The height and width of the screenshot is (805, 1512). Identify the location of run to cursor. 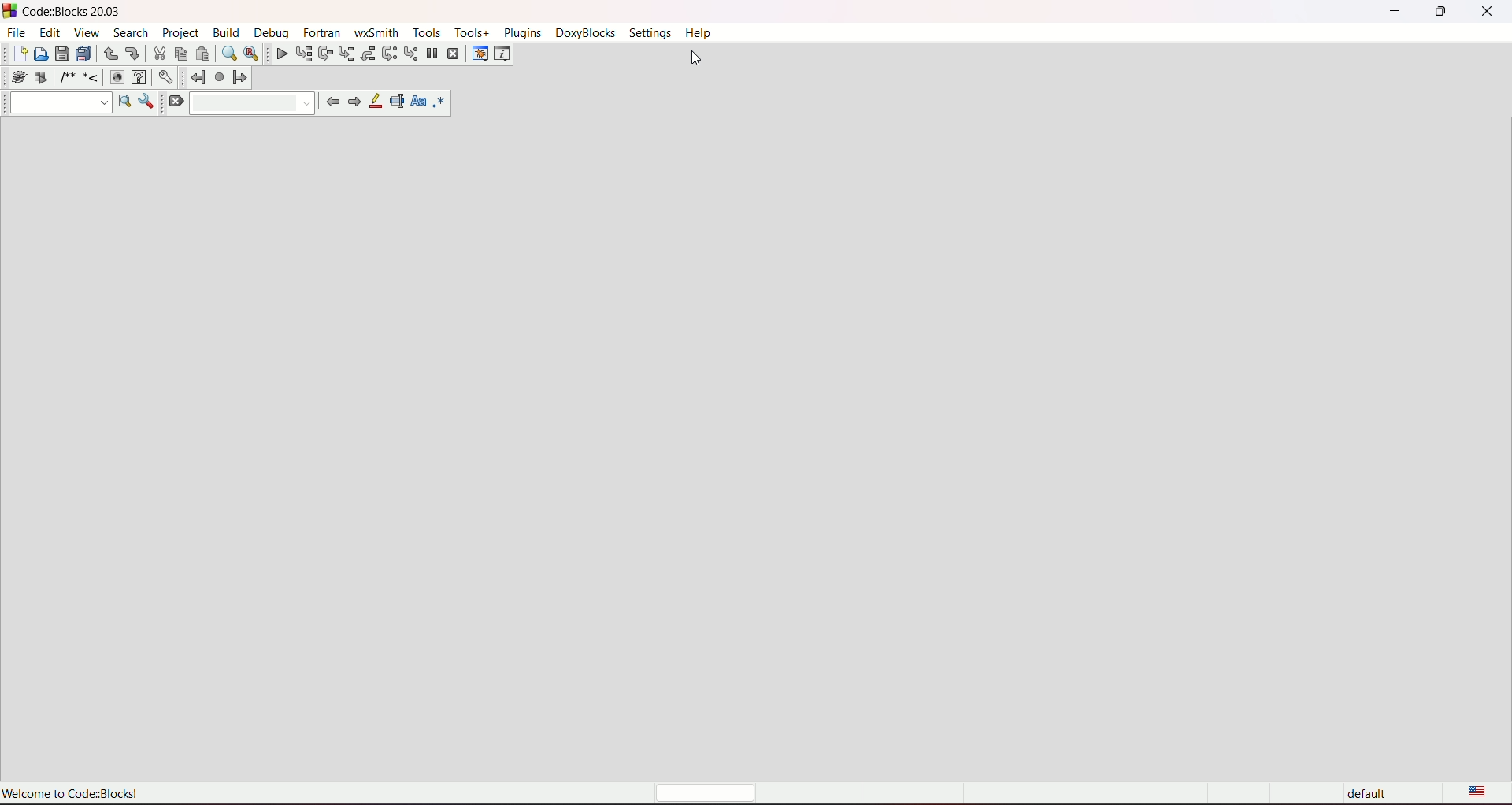
(304, 53).